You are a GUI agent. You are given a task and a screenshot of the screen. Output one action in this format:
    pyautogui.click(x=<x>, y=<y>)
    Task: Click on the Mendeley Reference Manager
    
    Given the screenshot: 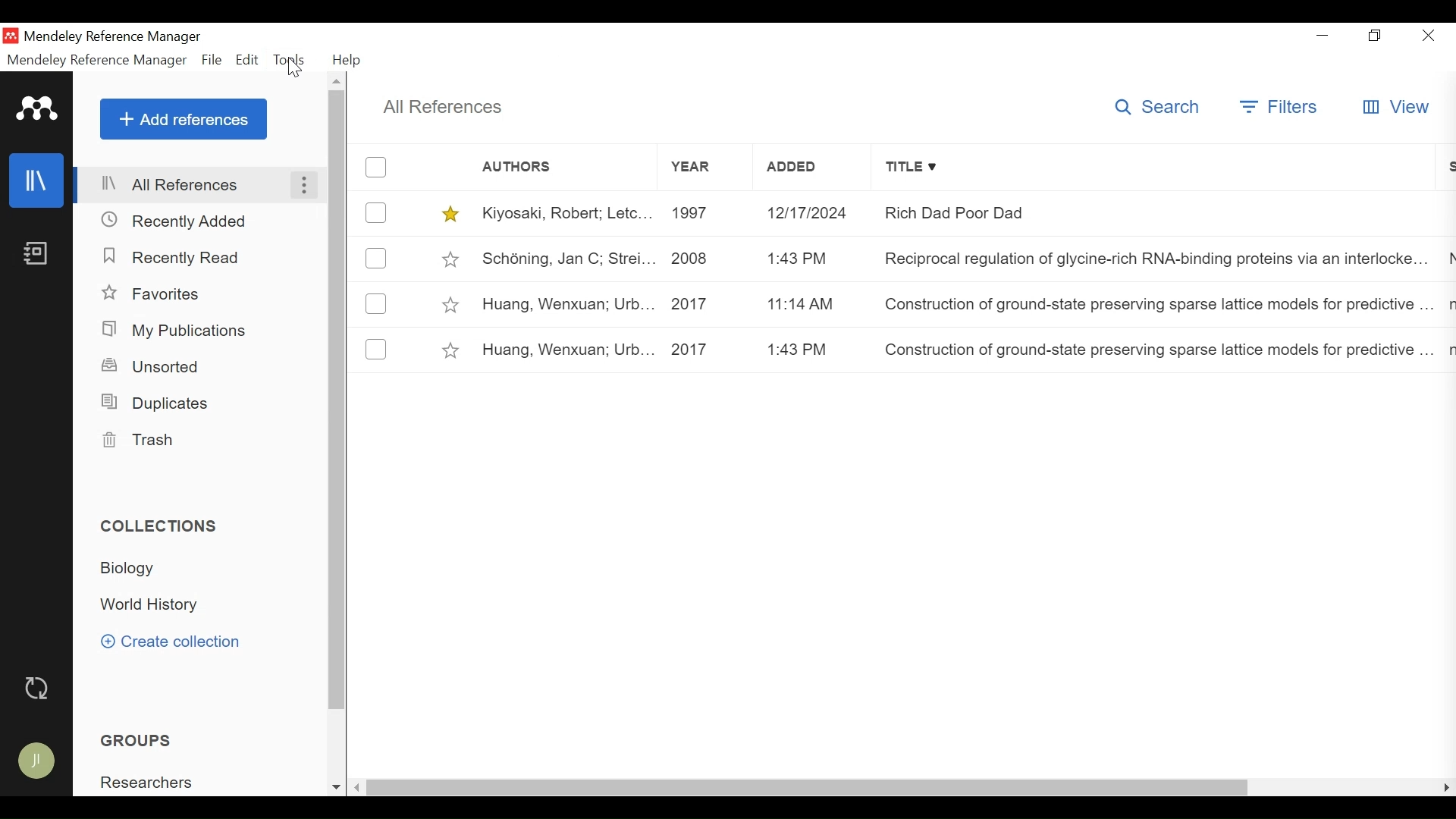 What is the action you would take?
    pyautogui.click(x=98, y=61)
    